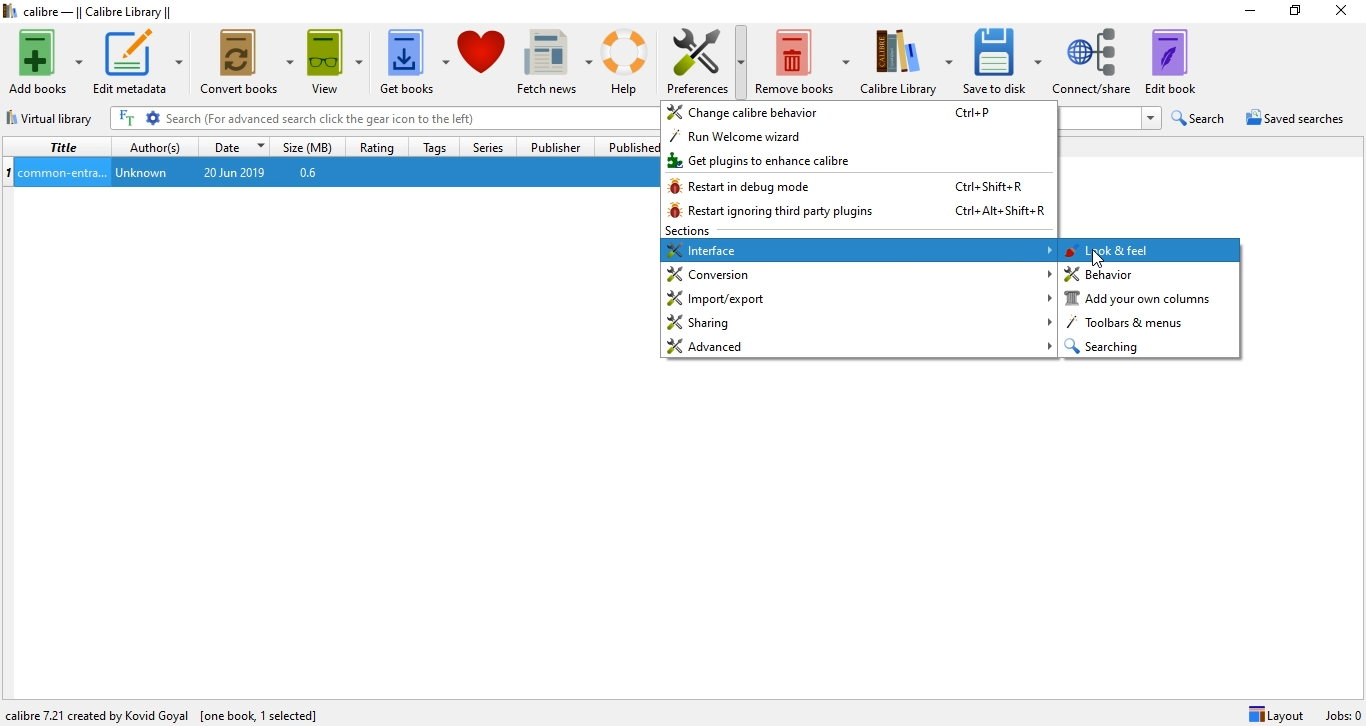  Describe the element at coordinates (129, 118) in the screenshot. I see `full text search` at that location.